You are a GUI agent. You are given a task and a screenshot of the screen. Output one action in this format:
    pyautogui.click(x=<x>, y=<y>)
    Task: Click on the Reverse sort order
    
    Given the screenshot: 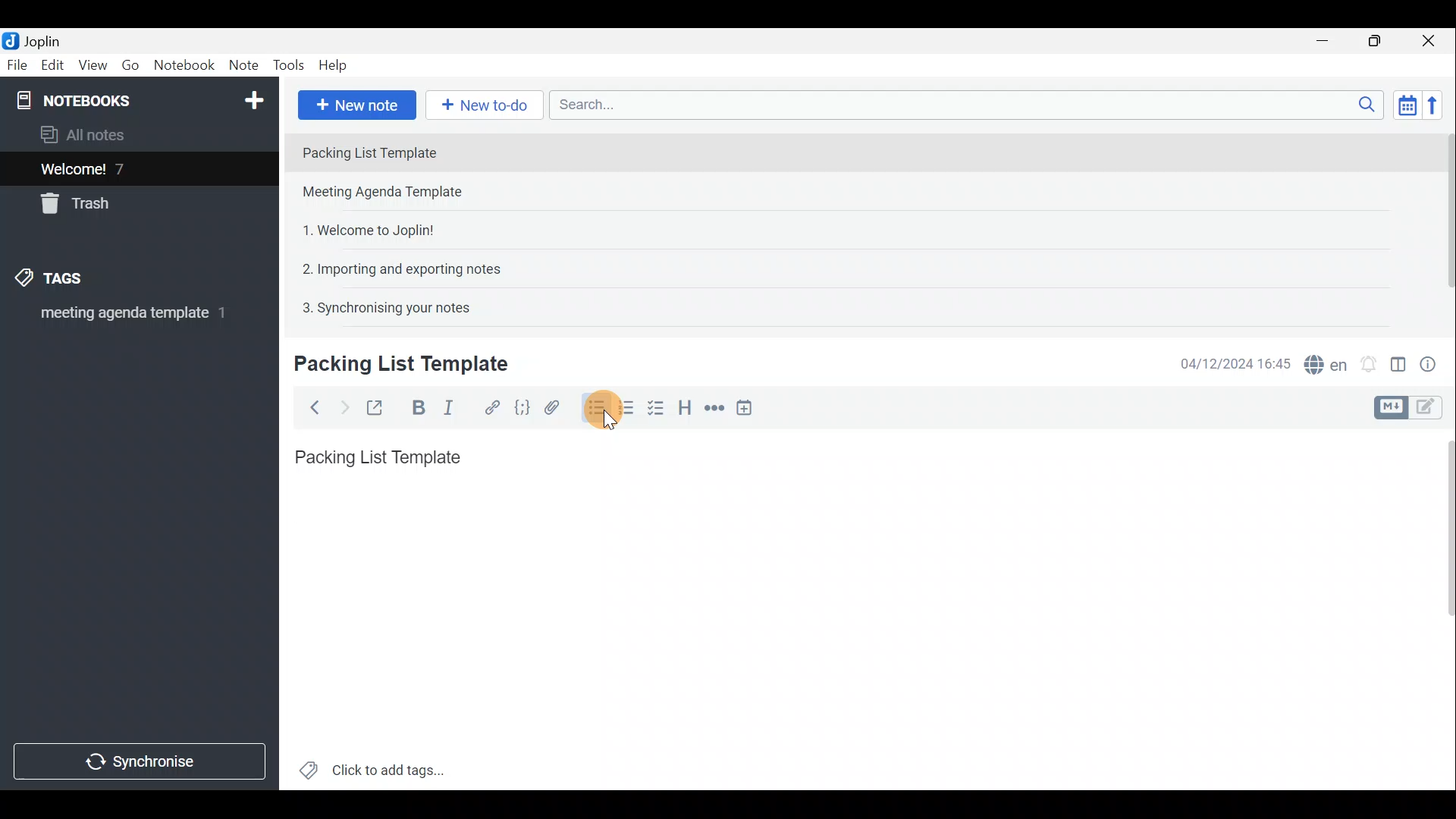 What is the action you would take?
    pyautogui.click(x=1438, y=104)
    